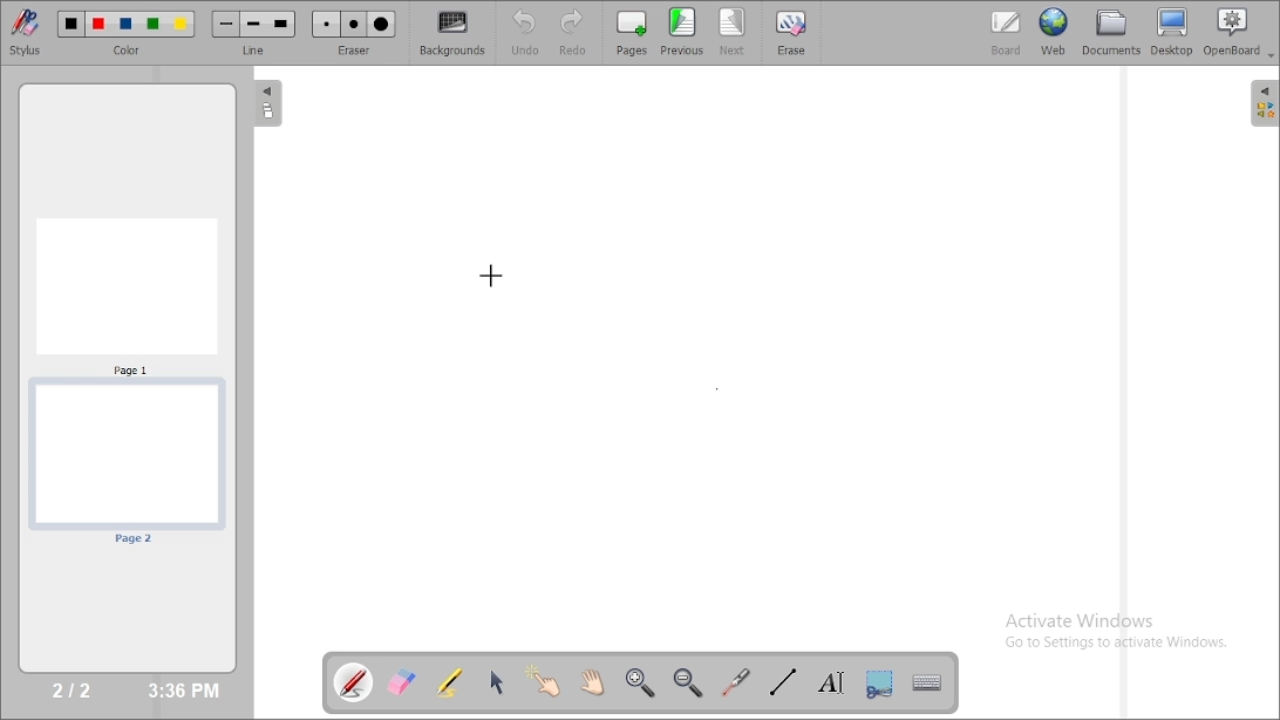 Image resolution: width=1280 pixels, height=720 pixels. Describe the element at coordinates (736, 682) in the screenshot. I see `virtual laser pointer` at that location.